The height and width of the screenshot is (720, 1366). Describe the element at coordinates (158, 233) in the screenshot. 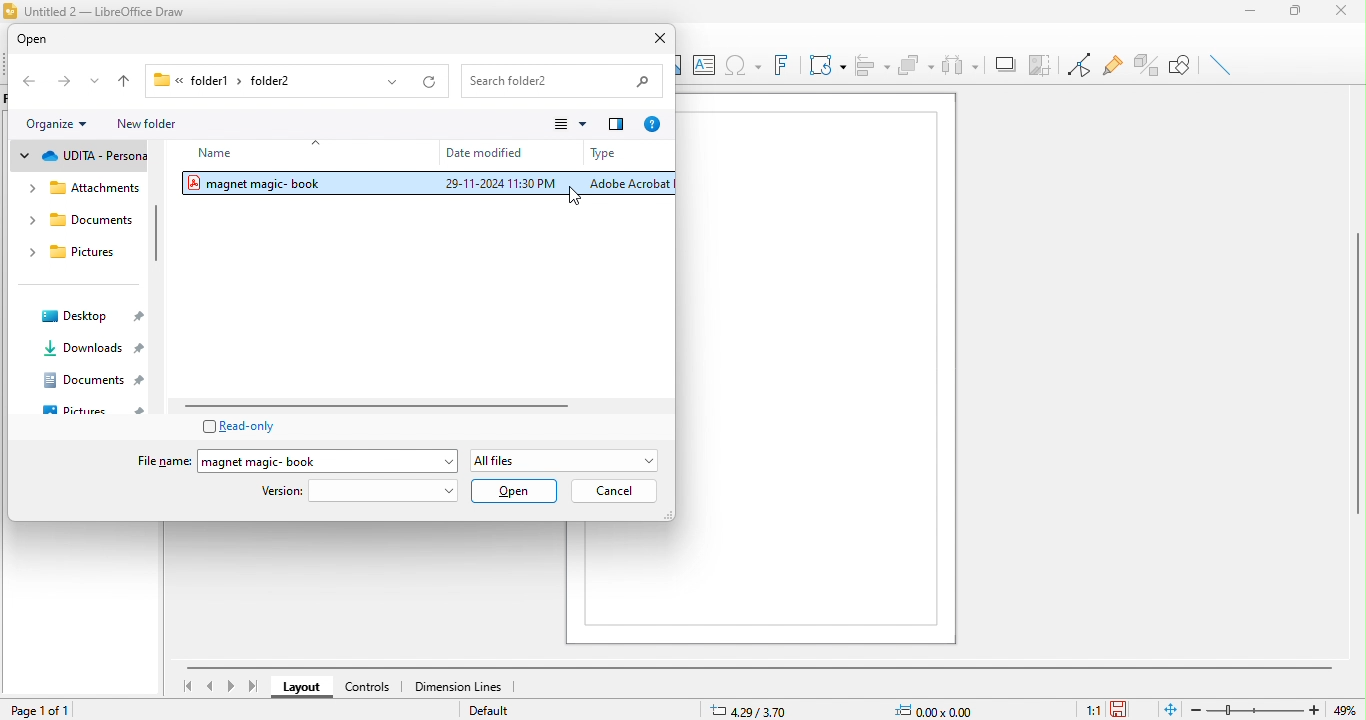

I see `vertical scroll bar` at that location.